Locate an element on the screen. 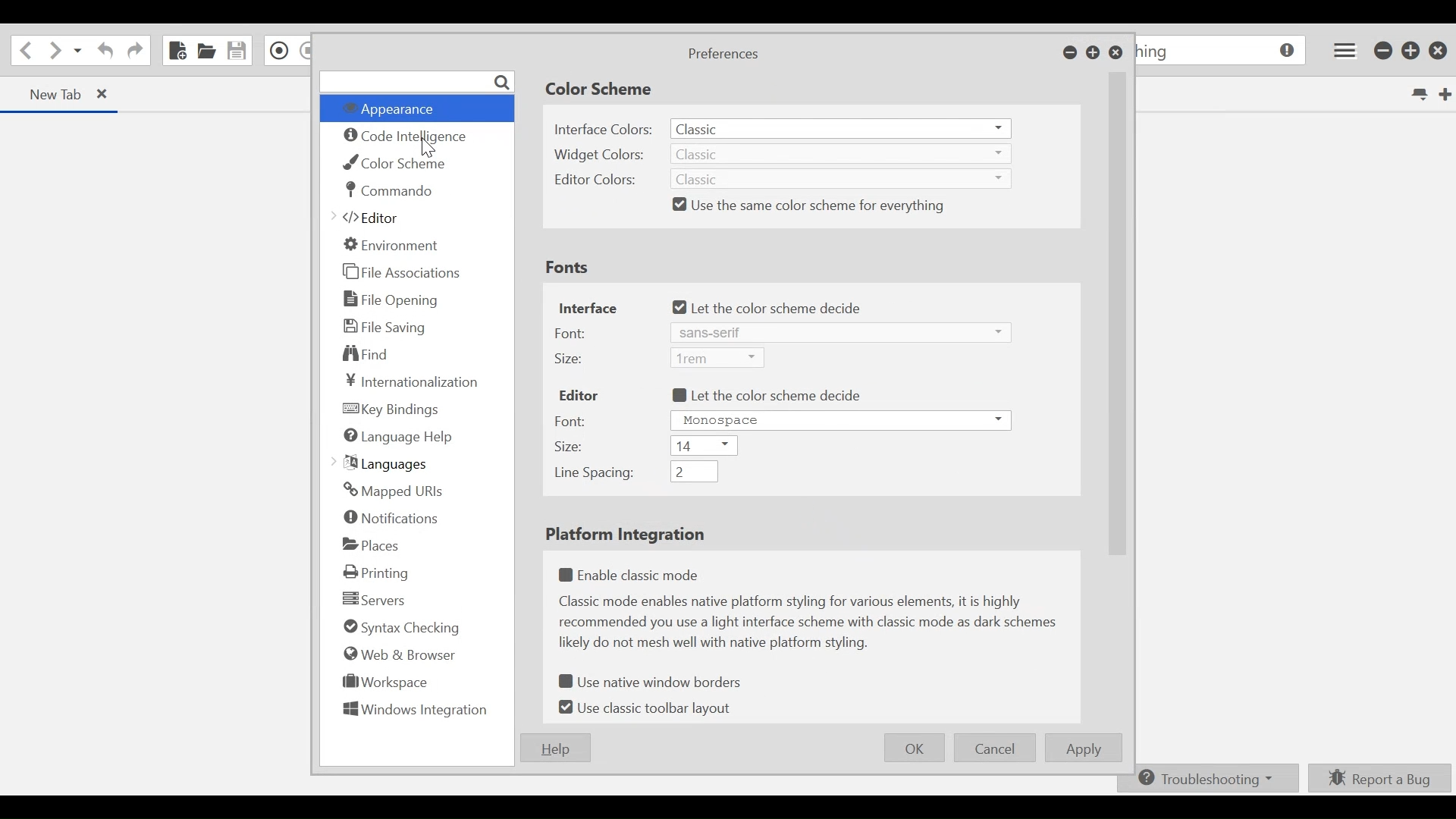 The image size is (1456, 819). classic is located at coordinates (839, 129).